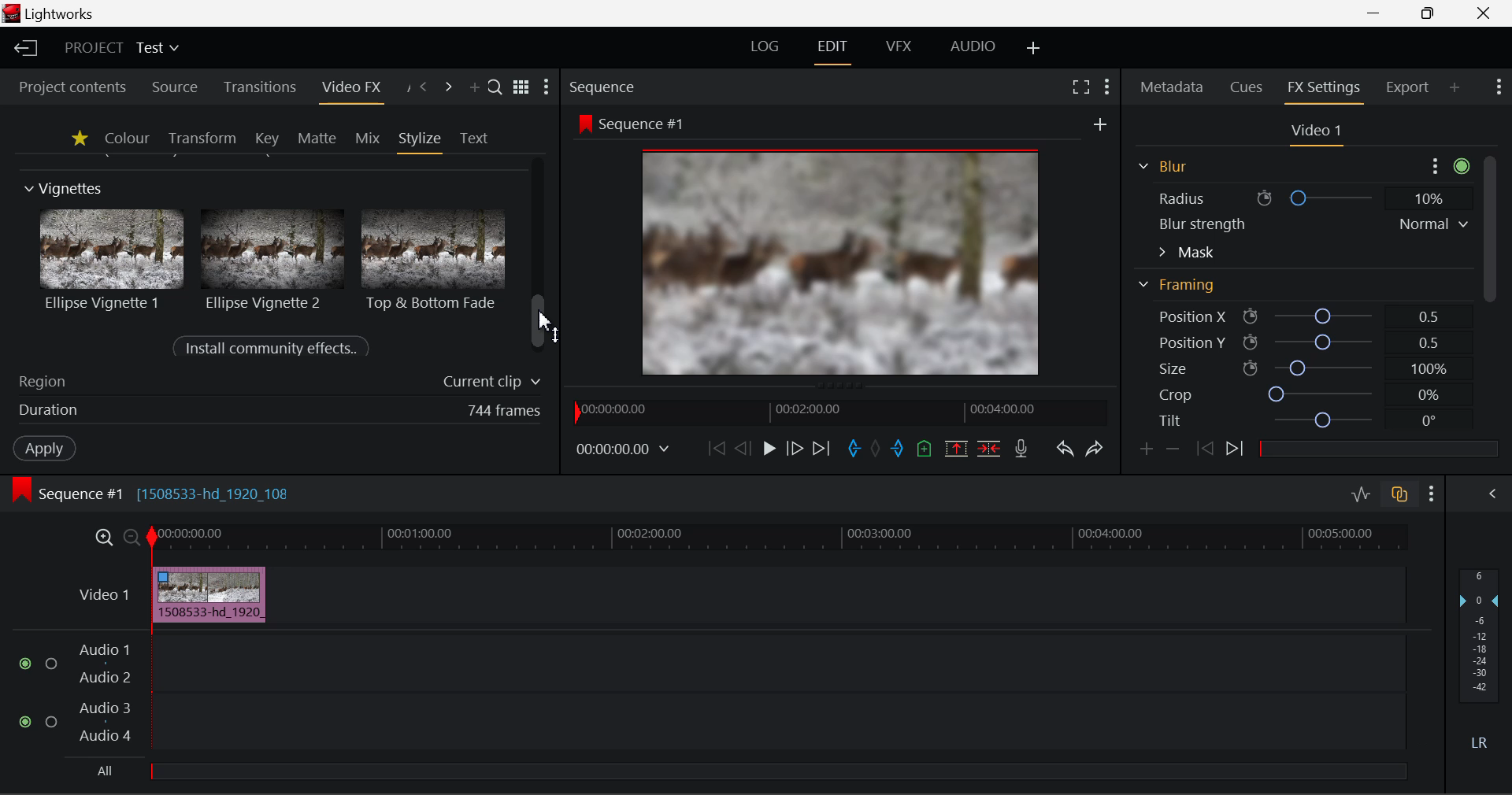 This screenshot has width=1512, height=795. What do you see at coordinates (546, 320) in the screenshot?
I see `cursor` at bounding box center [546, 320].